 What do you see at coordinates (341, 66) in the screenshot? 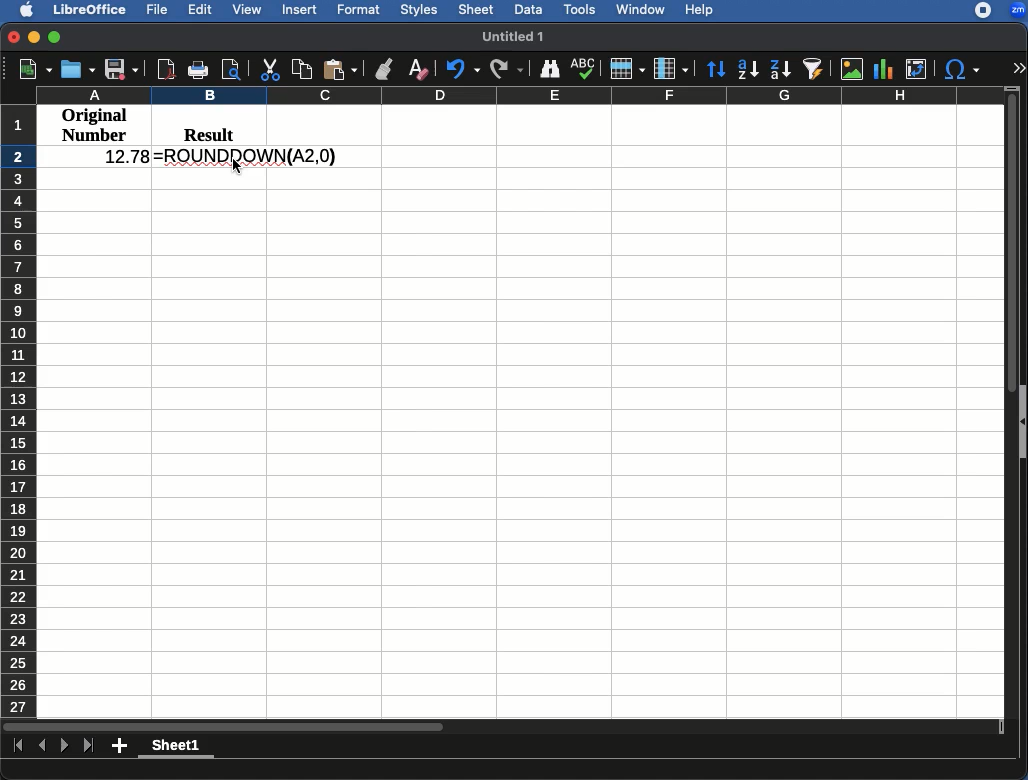
I see `Paste` at bounding box center [341, 66].